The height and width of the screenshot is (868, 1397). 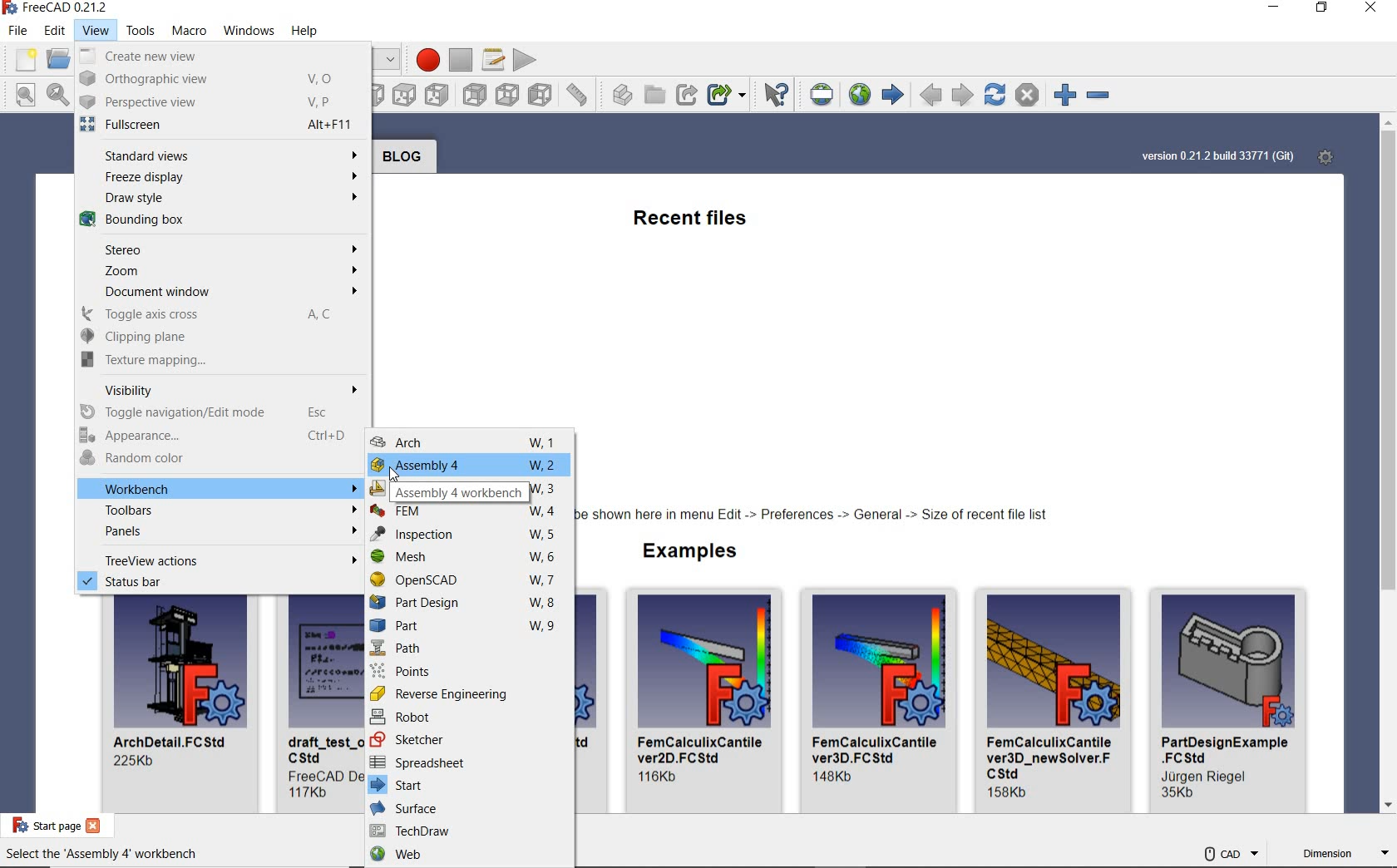 What do you see at coordinates (466, 536) in the screenshot?
I see `inspection` at bounding box center [466, 536].